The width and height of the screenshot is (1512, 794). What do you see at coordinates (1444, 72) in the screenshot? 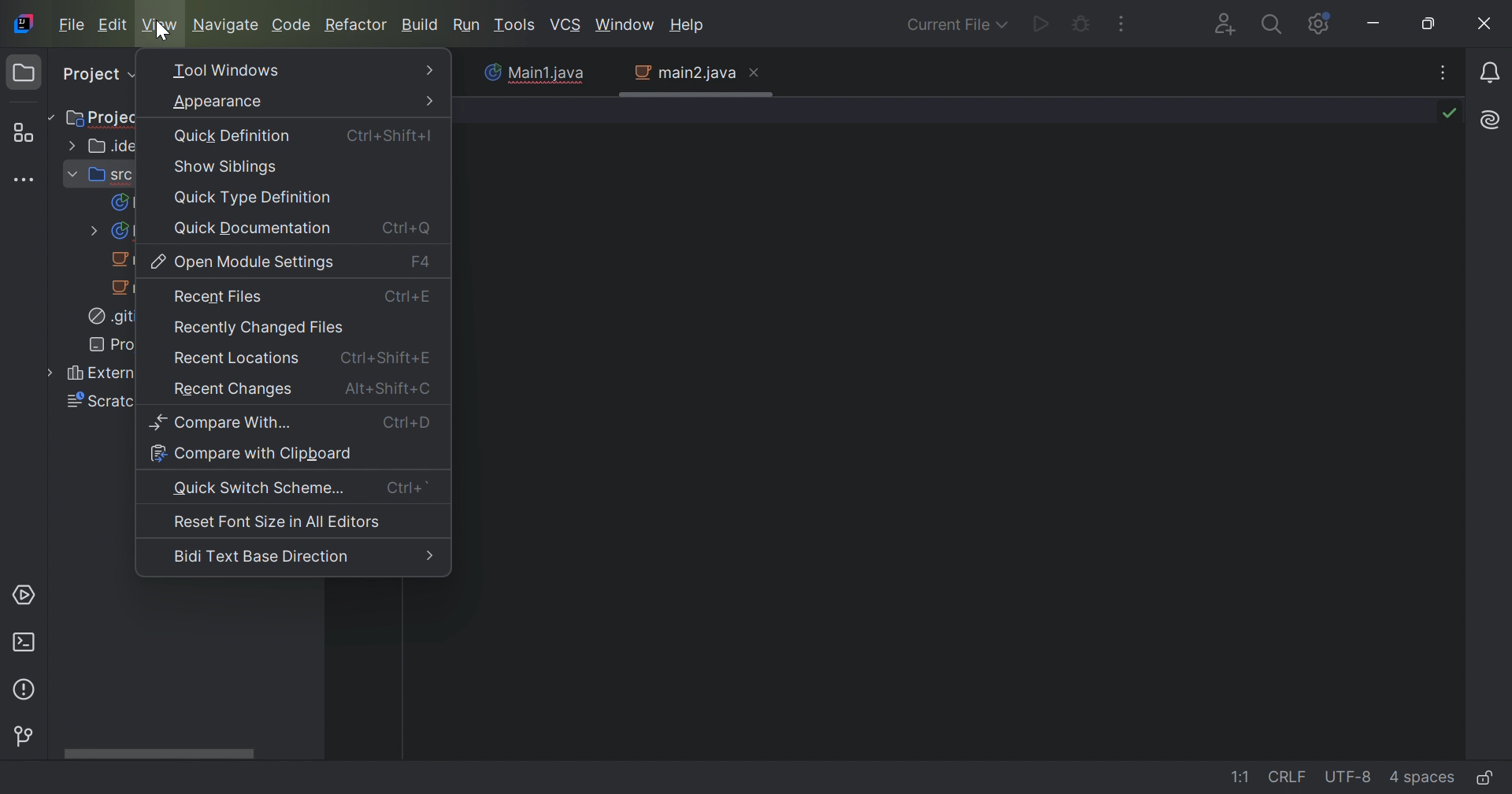
I see `Recent File, tab Actions, and More` at bounding box center [1444, 72].